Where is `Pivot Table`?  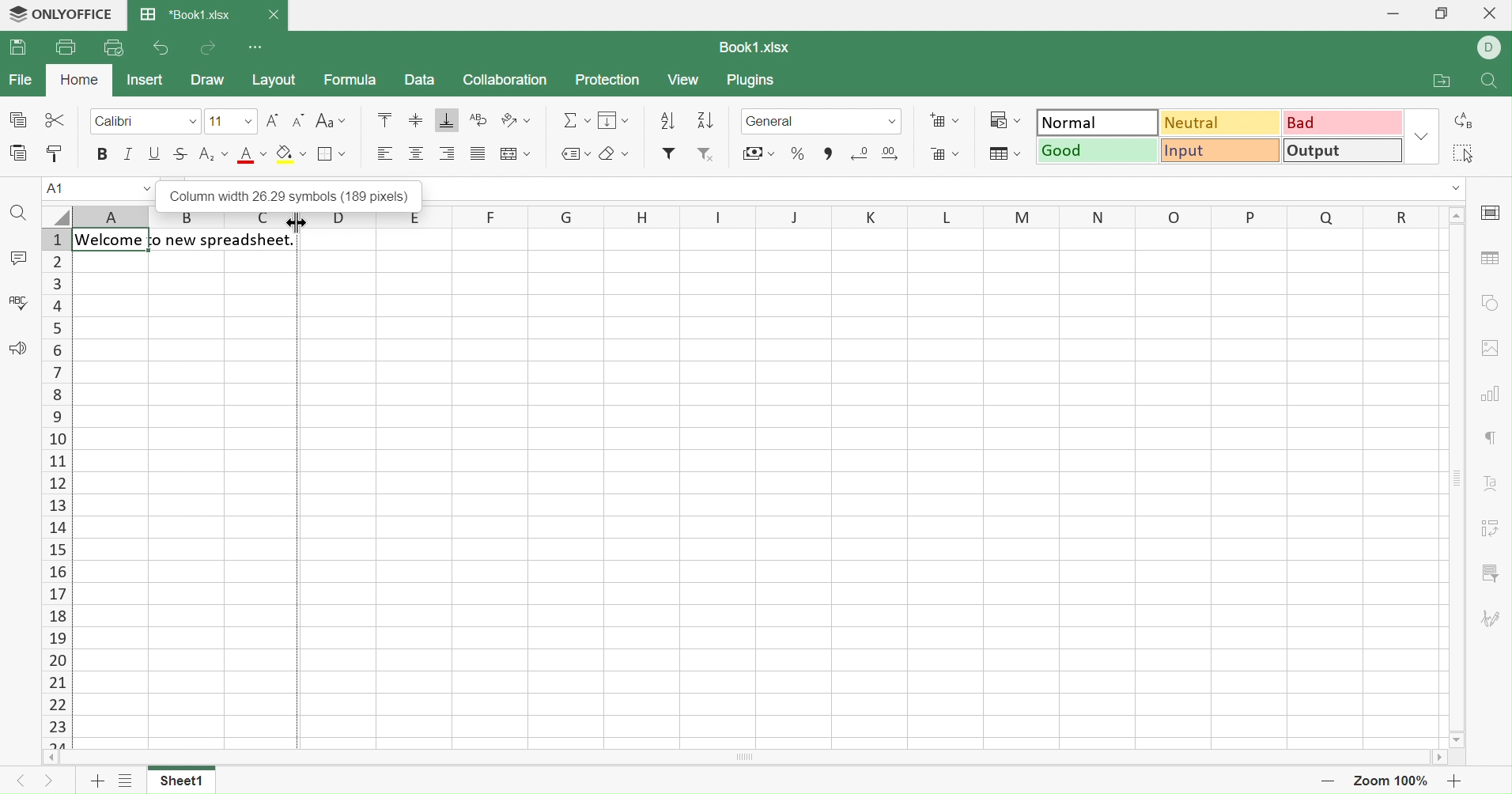 Pivot Table is located at coordinates (1489, 531).